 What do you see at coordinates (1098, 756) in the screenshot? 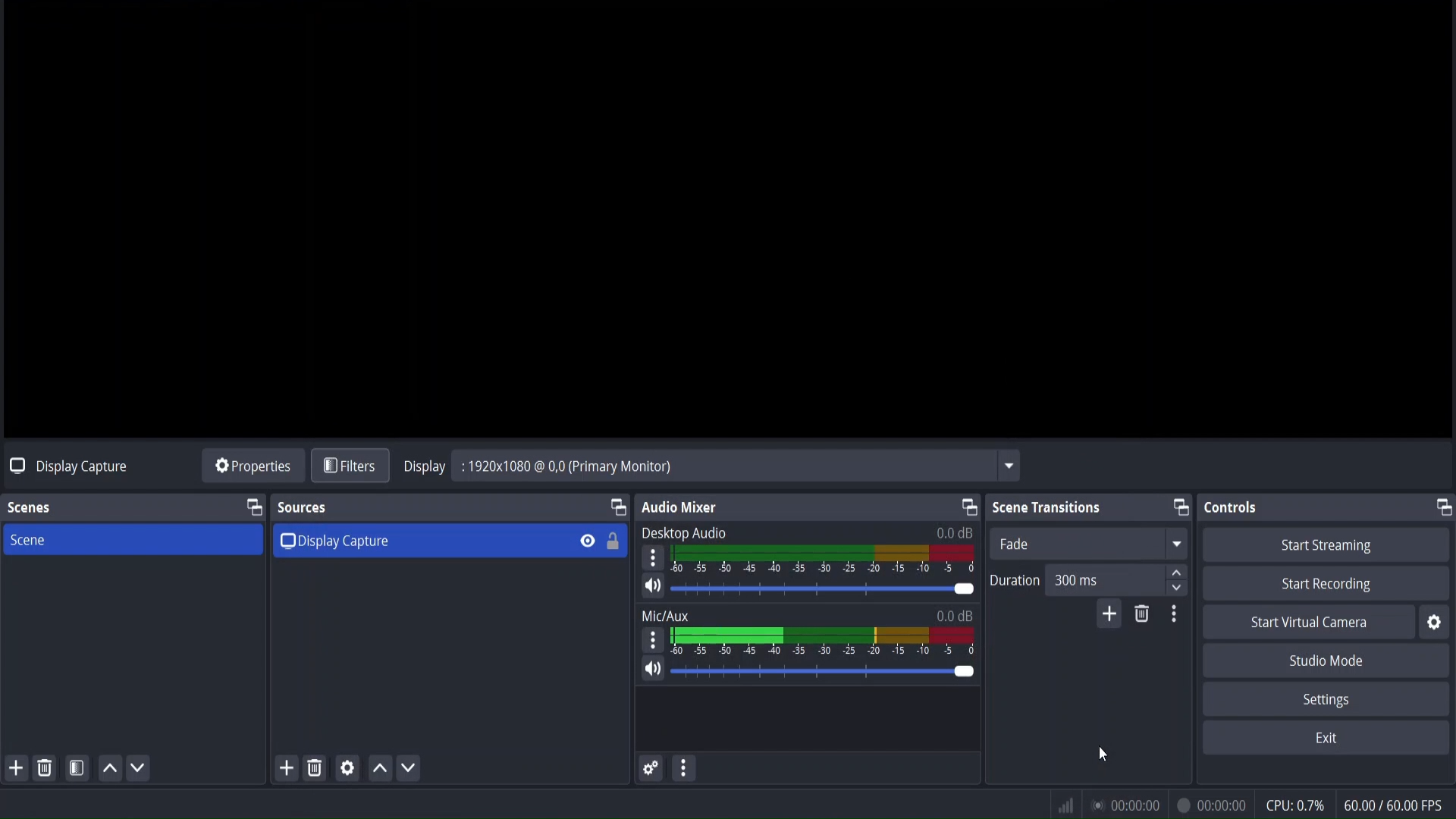
I see `cursor` at bounding box center [1098, 756].